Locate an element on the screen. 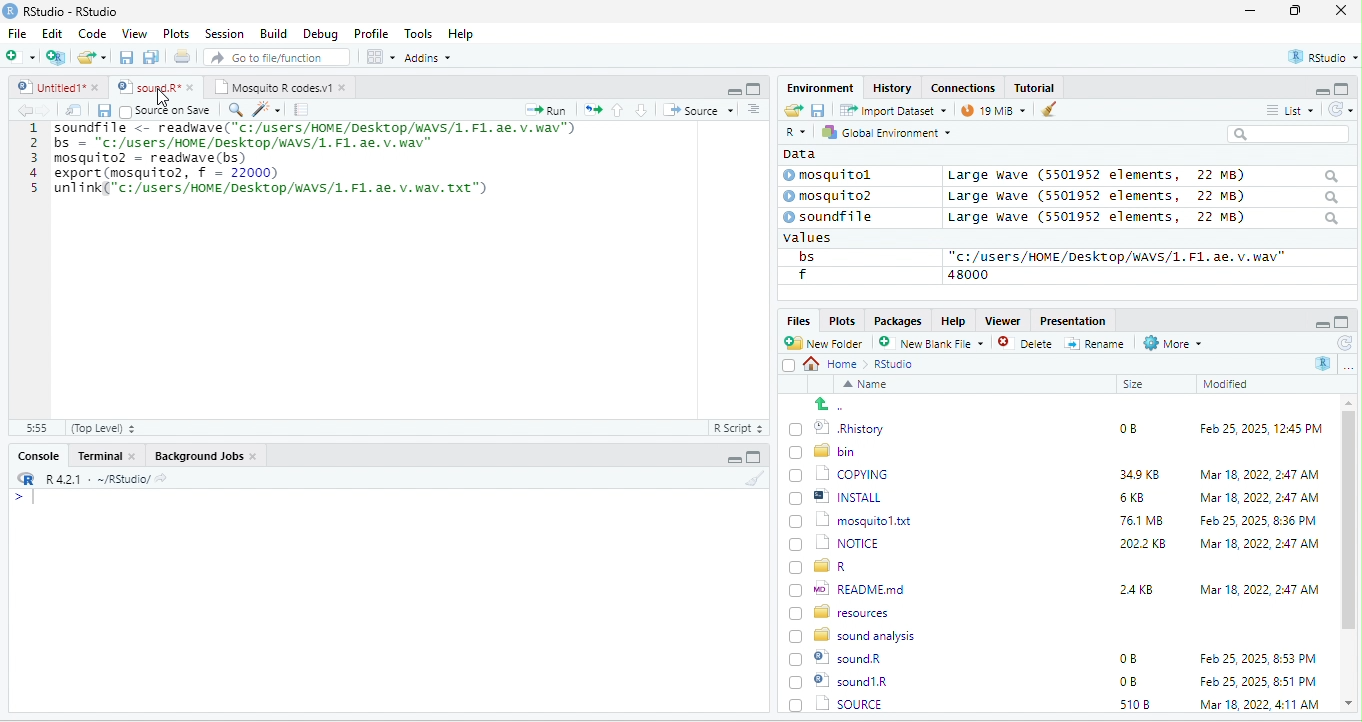 The height and width of the screenshot is (722, 1362). Rstudio is located at coordinates (895, 364).